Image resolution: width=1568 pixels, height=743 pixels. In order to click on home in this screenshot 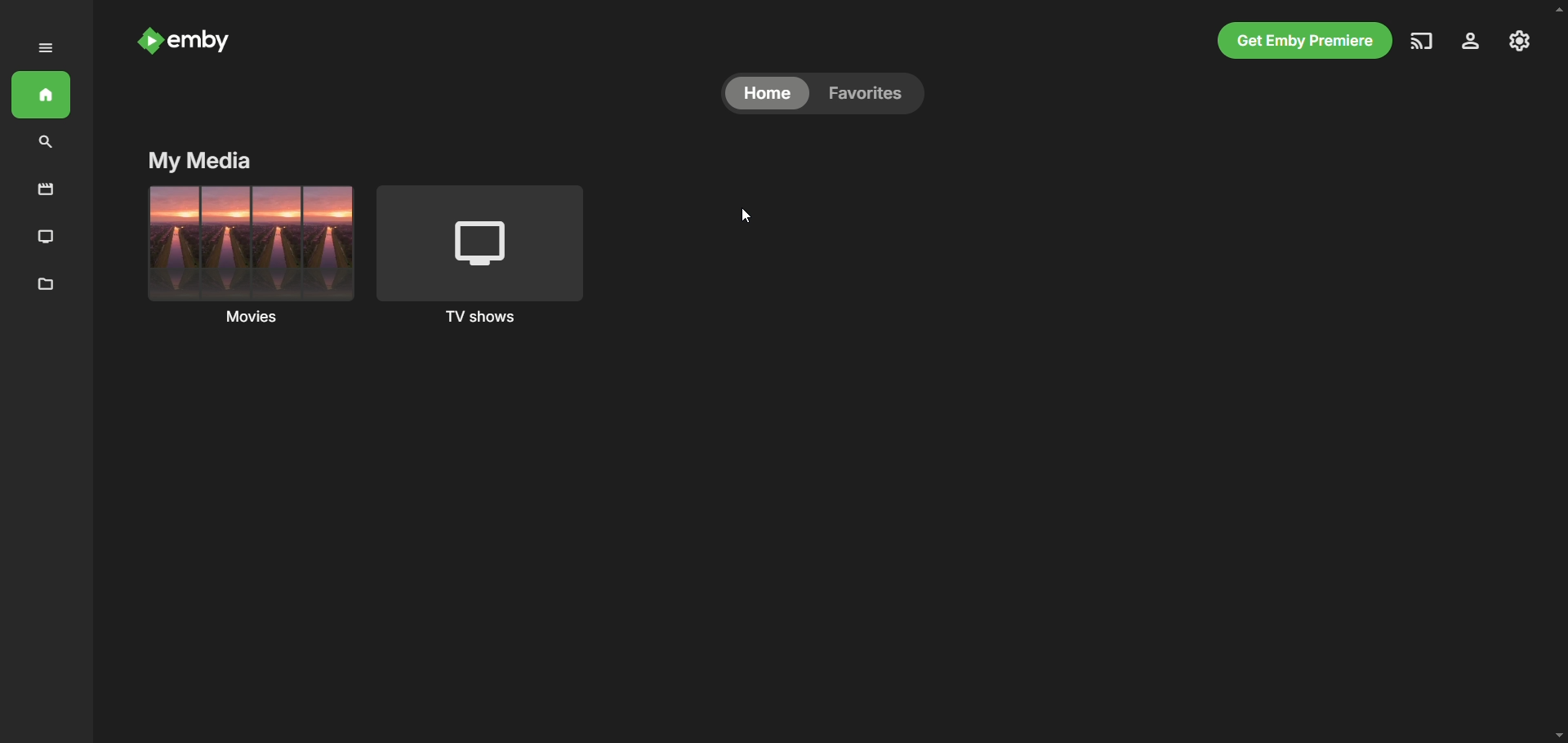, I will do `click(768, 94)`.